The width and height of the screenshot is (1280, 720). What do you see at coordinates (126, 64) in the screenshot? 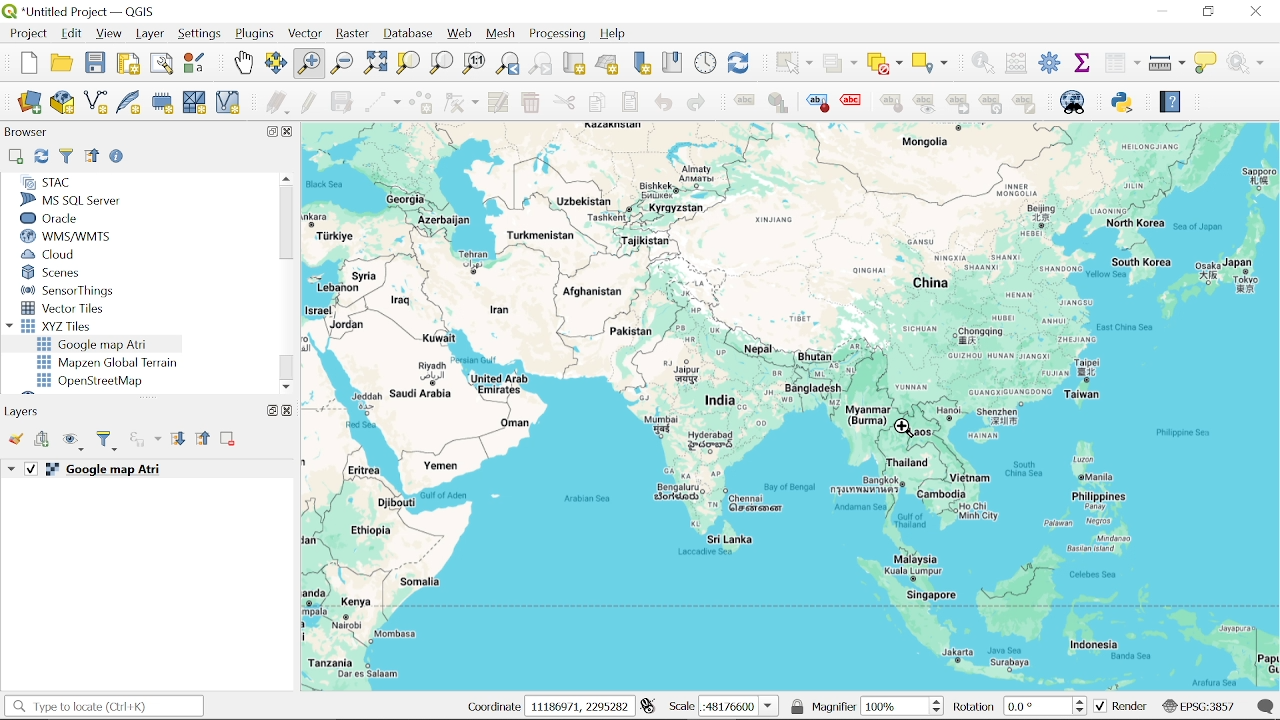
I see `New print layout` at bounding box center [126, 64].